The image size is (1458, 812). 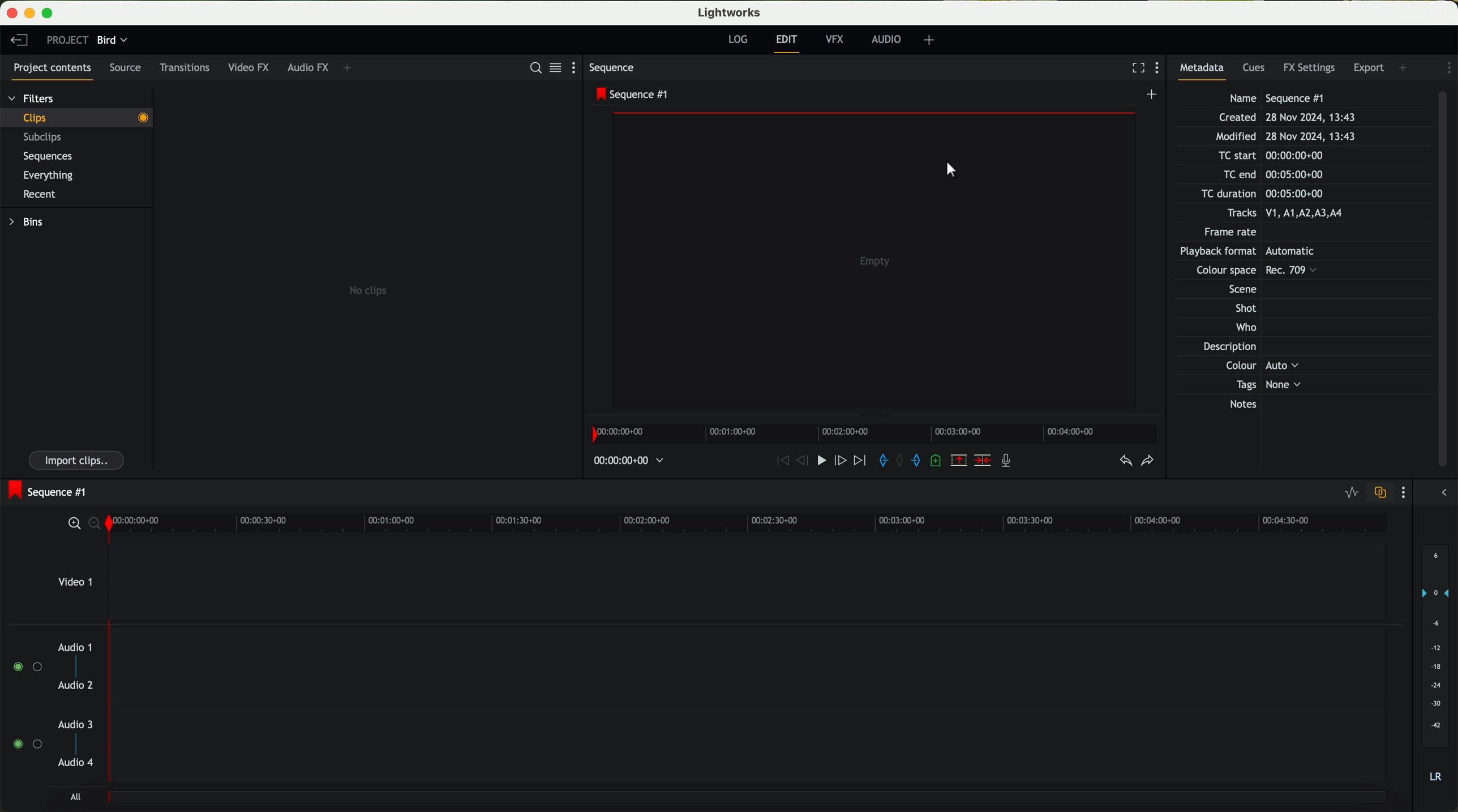 What do you see at coordinates (1314, 117) in the screenshot?
I see `Created` at bounding box center [1314, 117].